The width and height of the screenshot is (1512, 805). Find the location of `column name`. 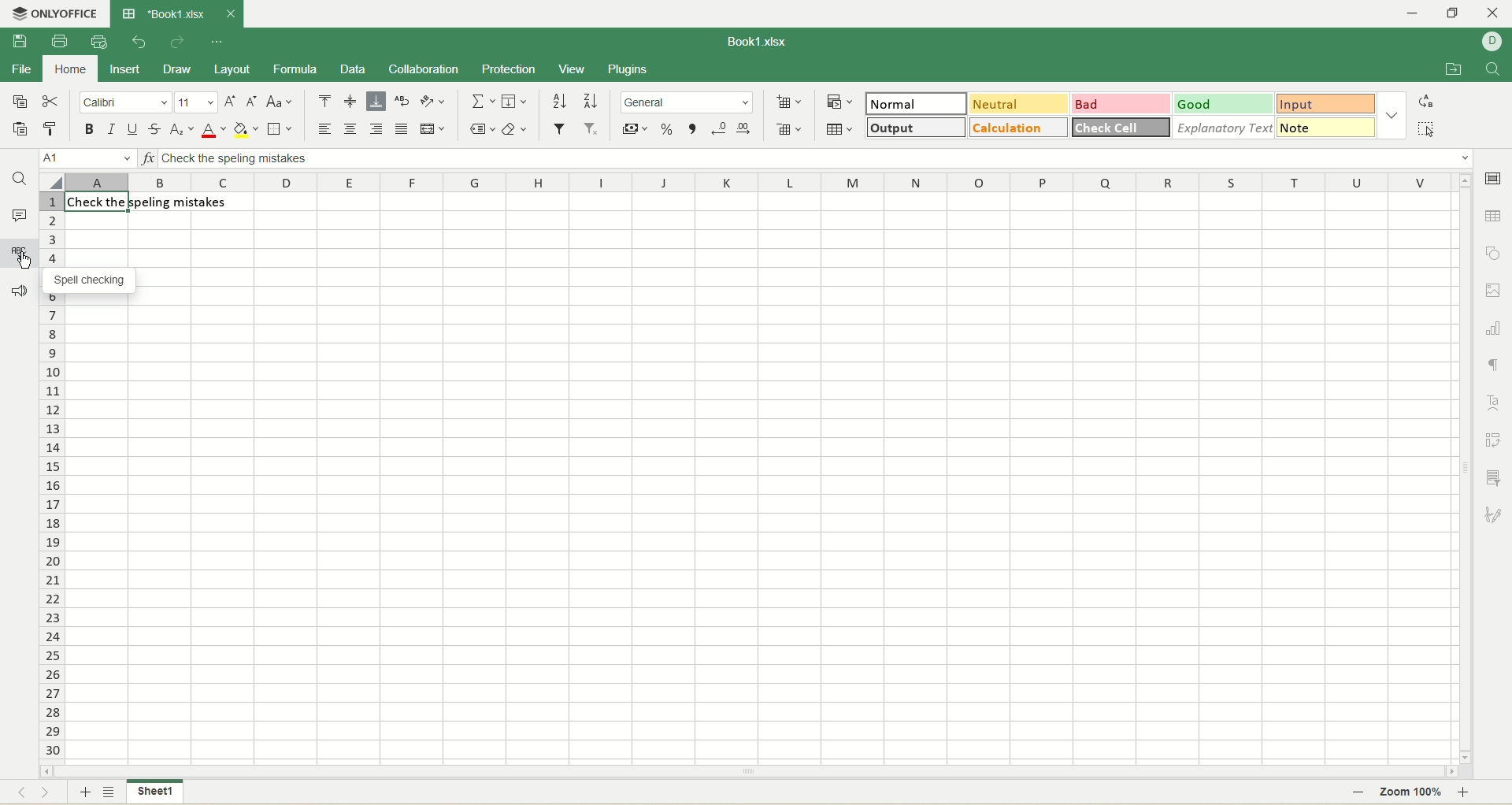

column name is located at coordinates (758, 184).